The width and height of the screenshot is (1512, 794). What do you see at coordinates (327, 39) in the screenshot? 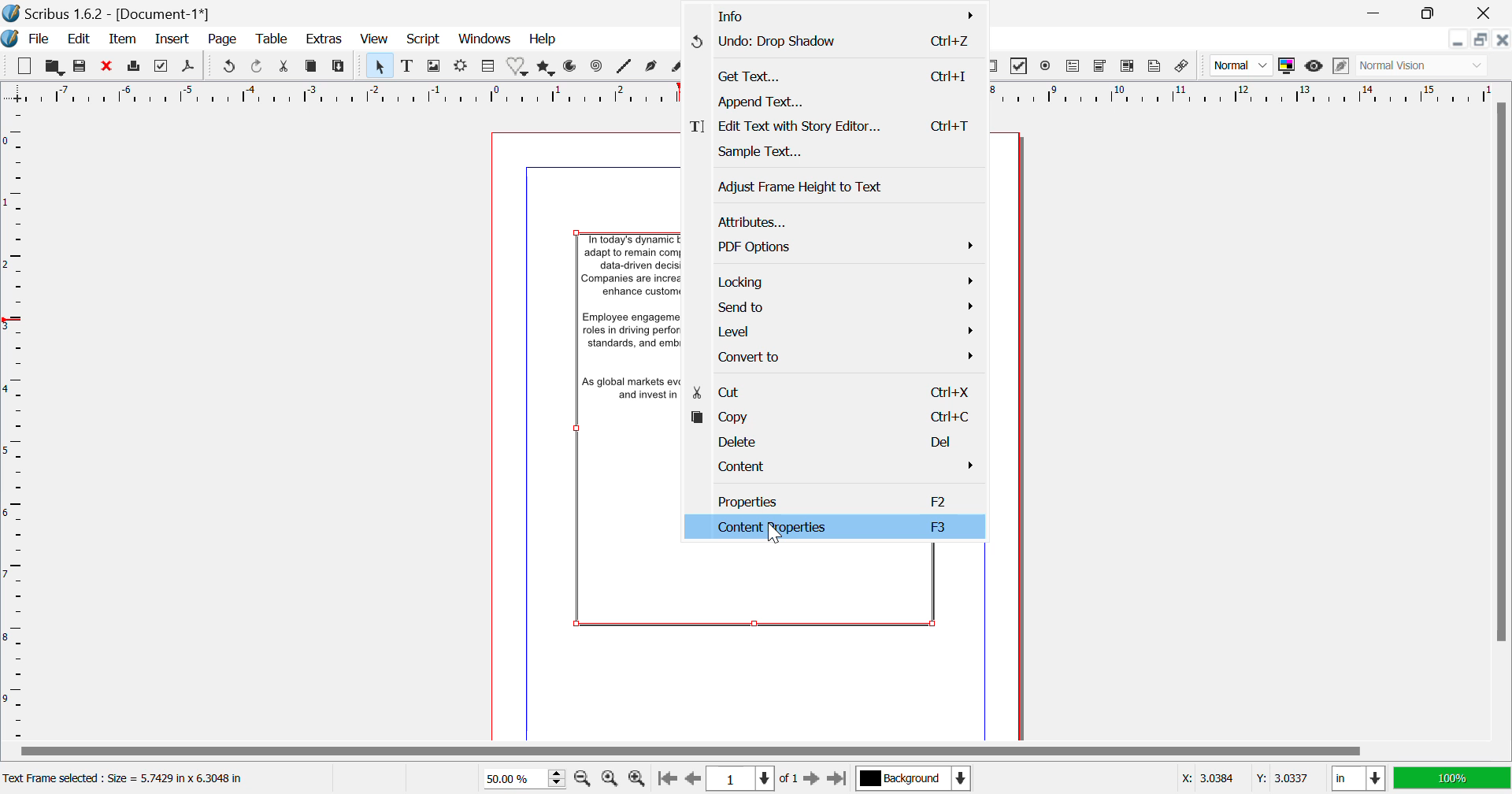
I see `Extras` at bounding box center [327, 39].